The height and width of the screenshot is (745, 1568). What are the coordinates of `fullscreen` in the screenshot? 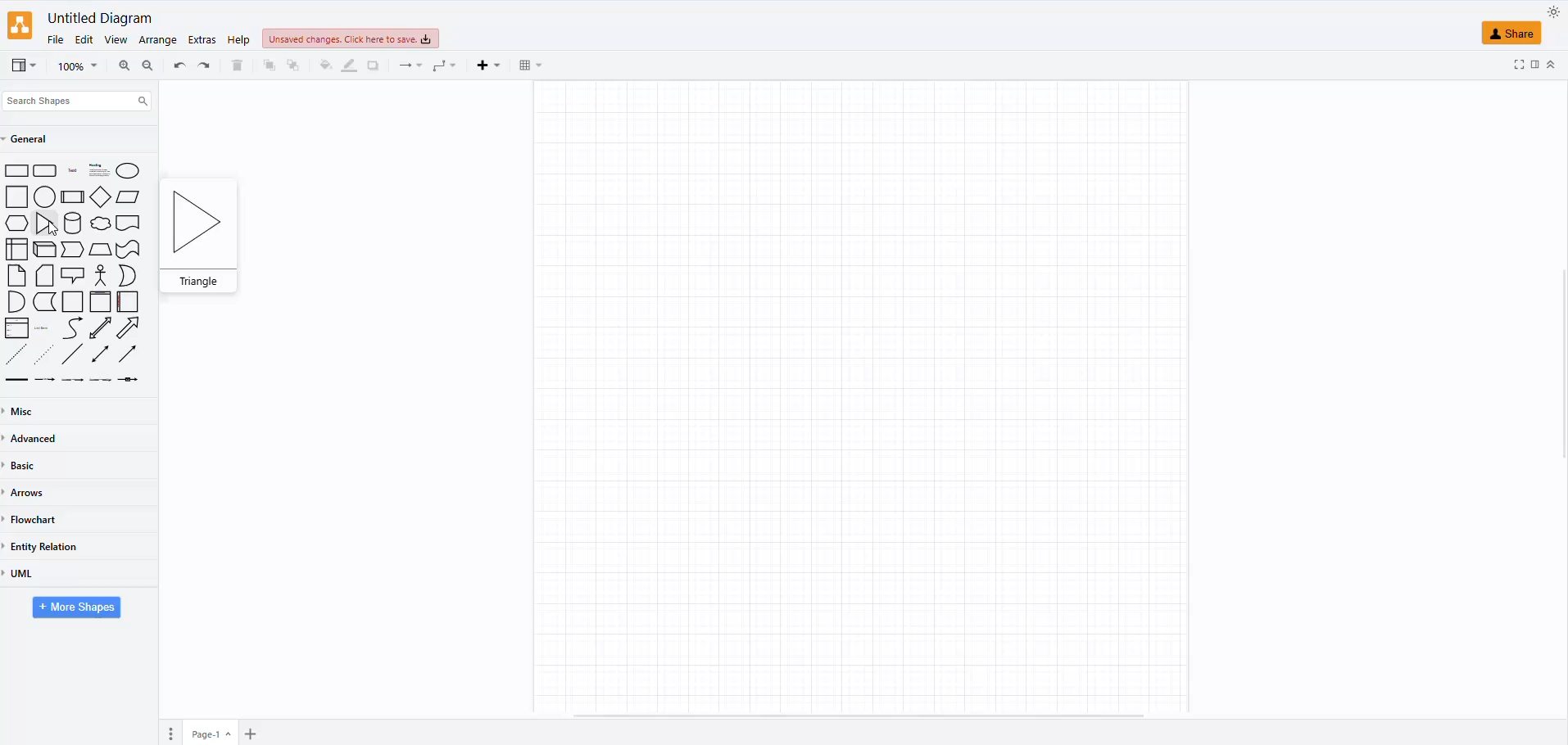 It's located at (1518, 65).